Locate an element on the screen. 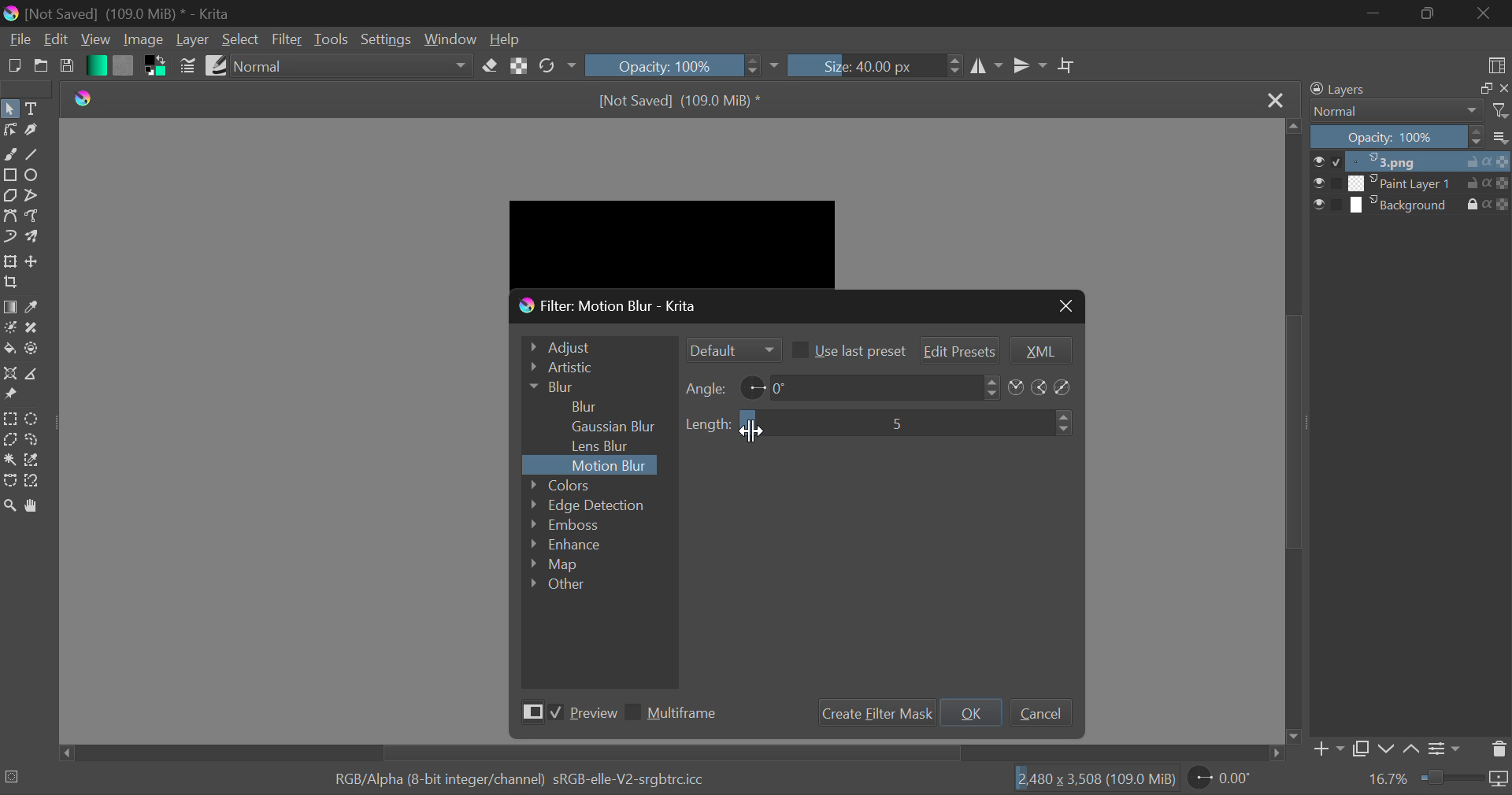  Help is located at coordinates (507, 39).